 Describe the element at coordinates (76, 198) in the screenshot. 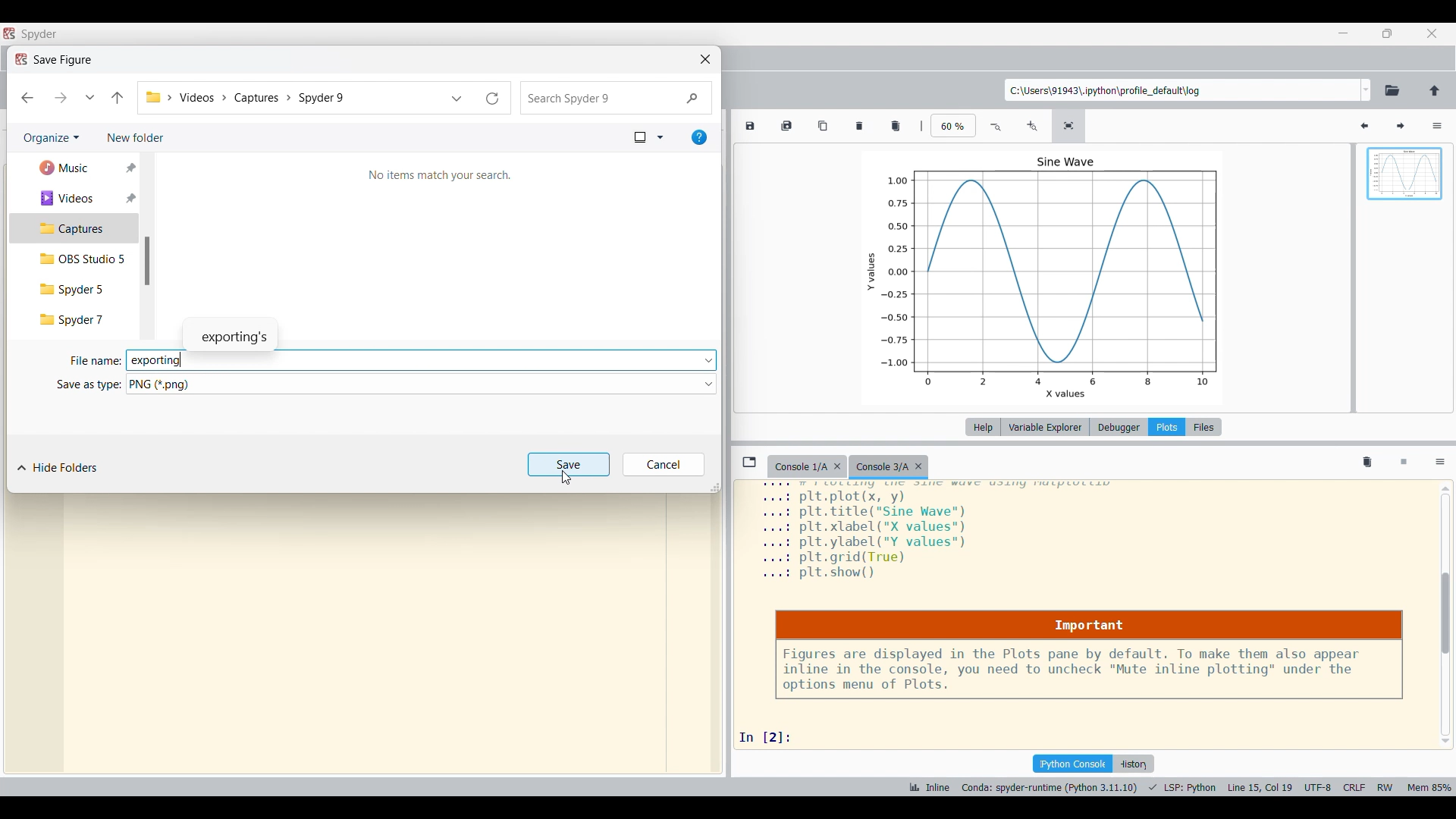

I see `Videos` at that location.